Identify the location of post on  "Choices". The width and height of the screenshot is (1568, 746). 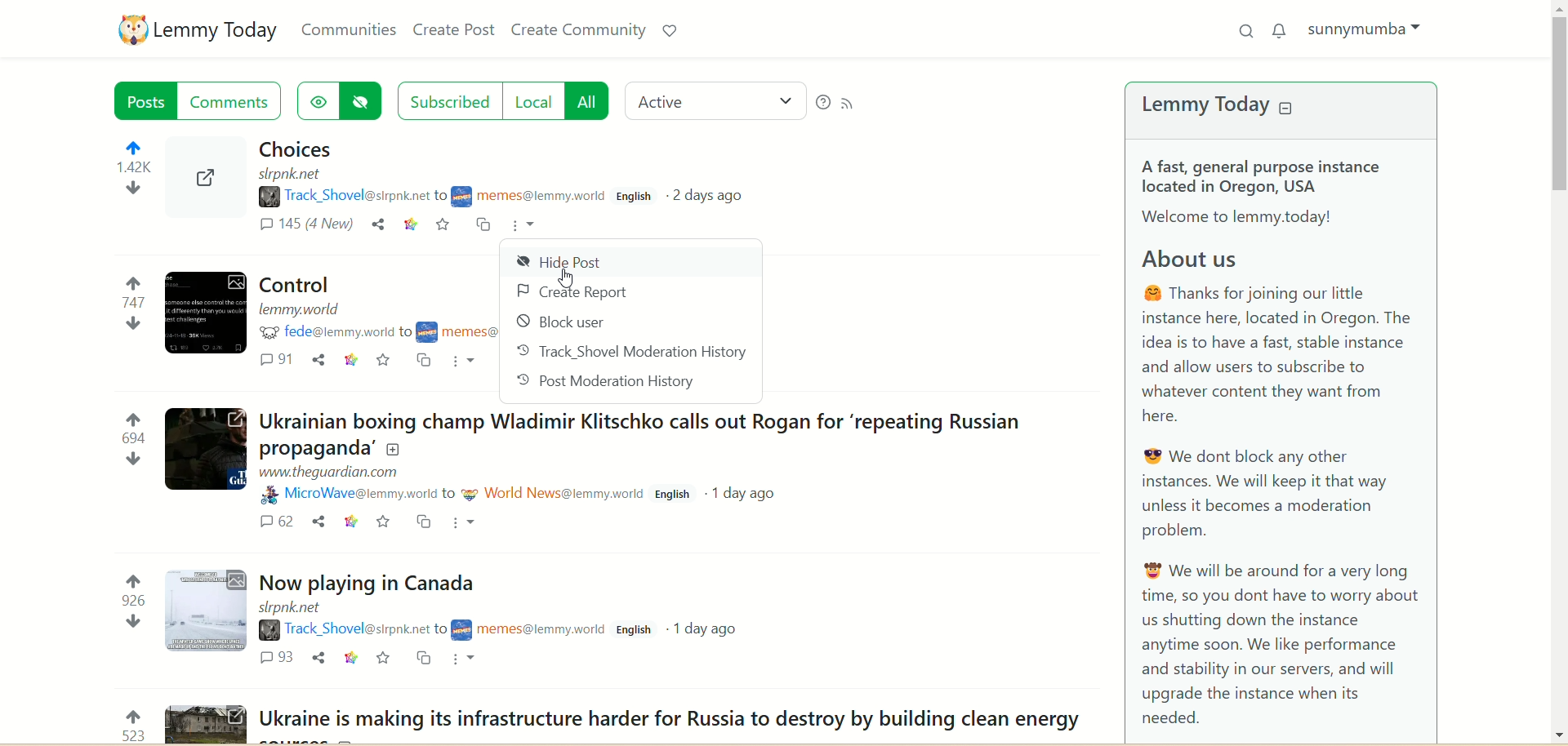
(430, 151).